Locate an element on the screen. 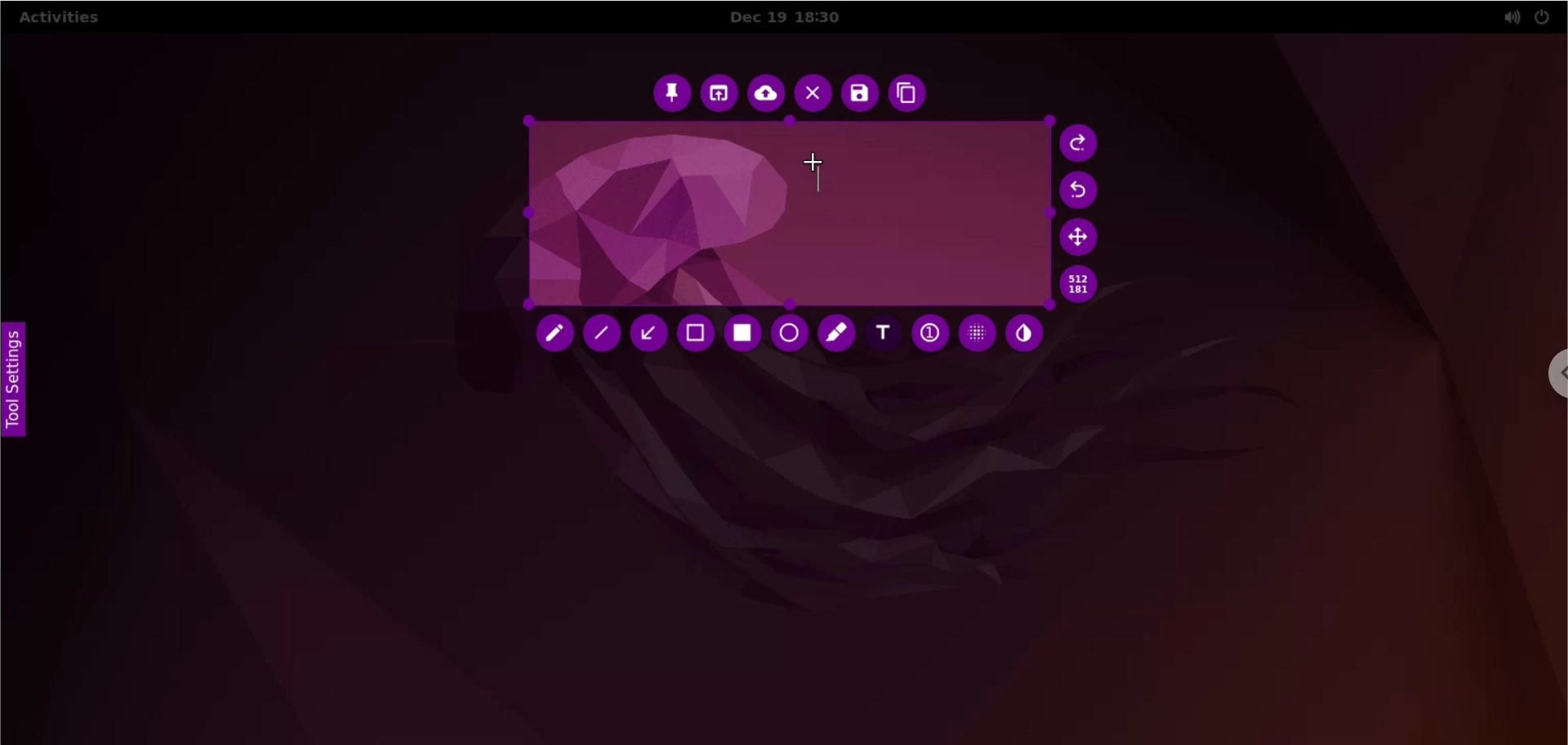 This screenshot has height=745, width=1568. choose app to open screenshot is located at coordinates (719, 95).